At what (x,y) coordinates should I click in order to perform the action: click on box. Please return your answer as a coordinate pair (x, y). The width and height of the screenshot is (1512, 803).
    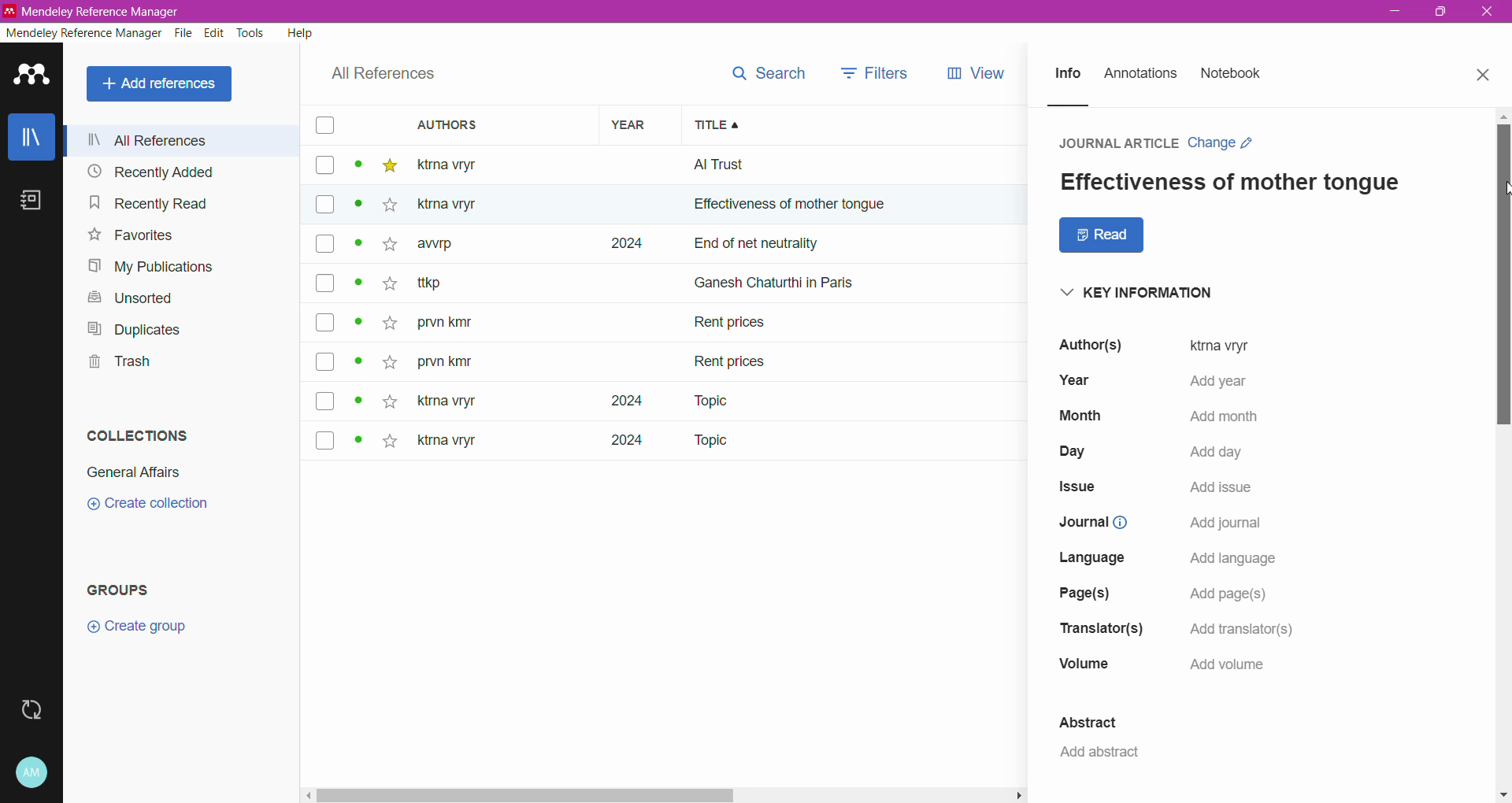
    Looking at the image, I should click on (326, 363).